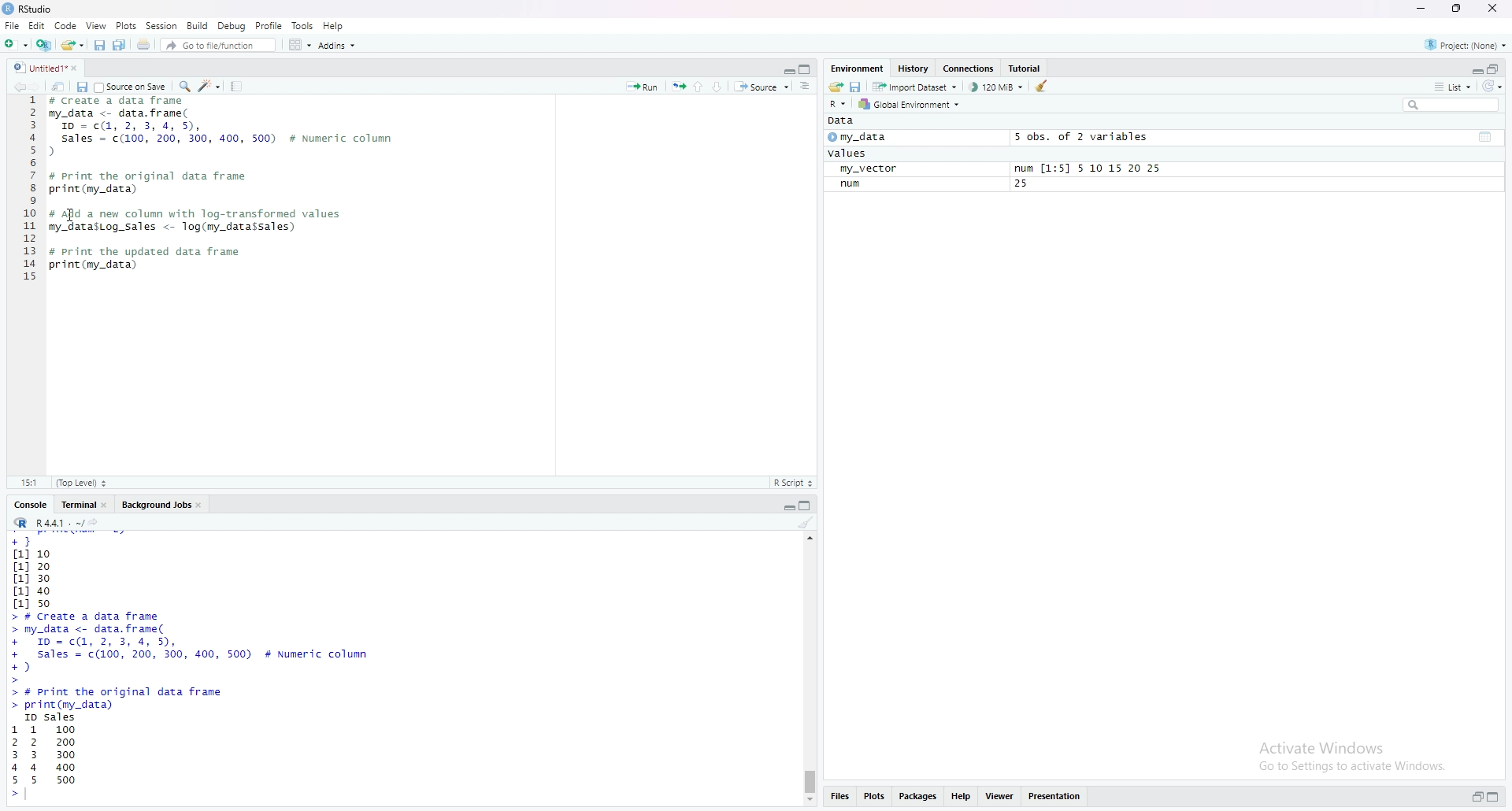  Describe the element at coordinates (38, 25) in the screenshot. I see `edit` at that location.